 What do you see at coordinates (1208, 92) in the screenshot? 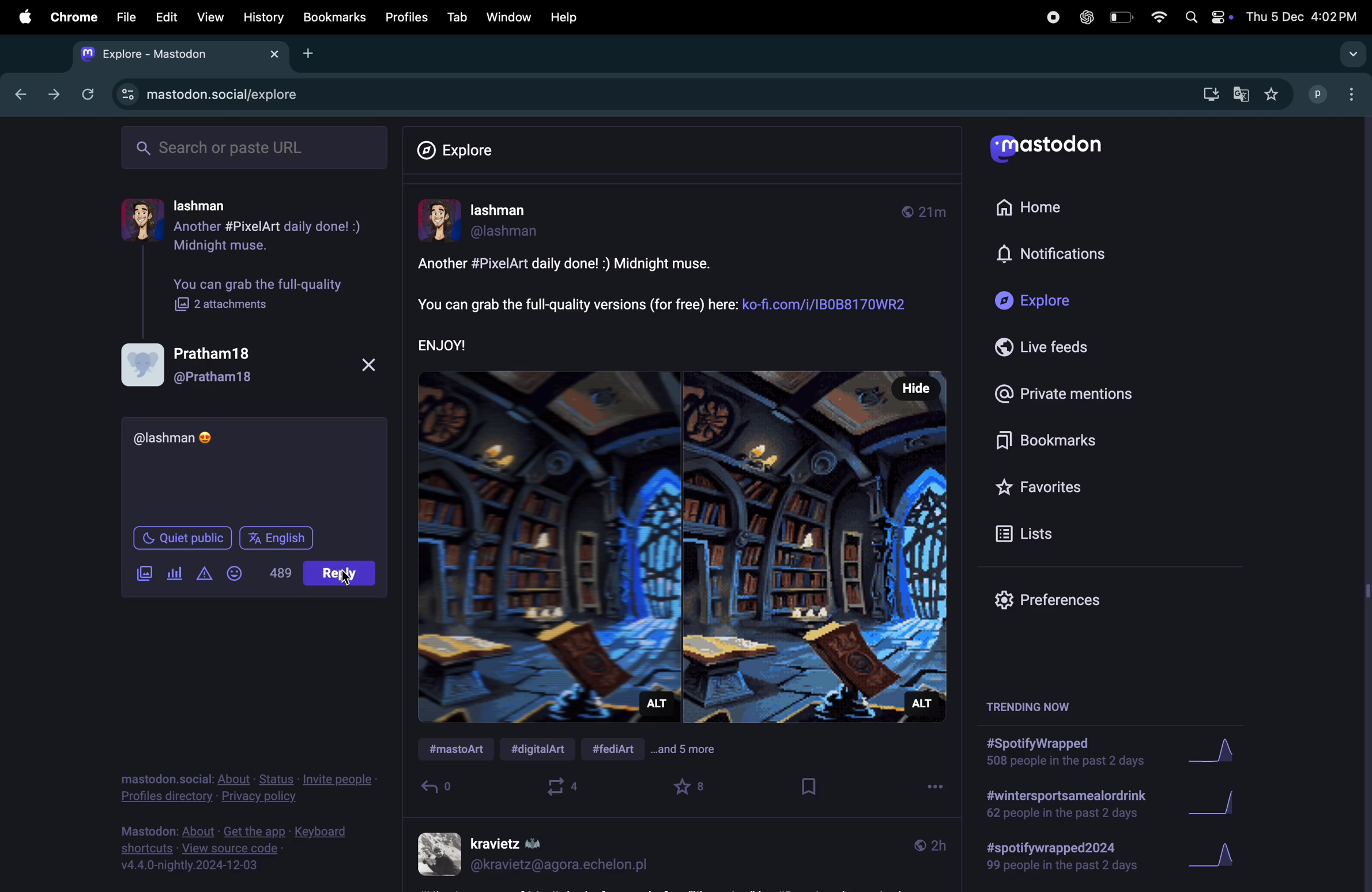
I see `download mastdon` at bounding box center [1208, 92].